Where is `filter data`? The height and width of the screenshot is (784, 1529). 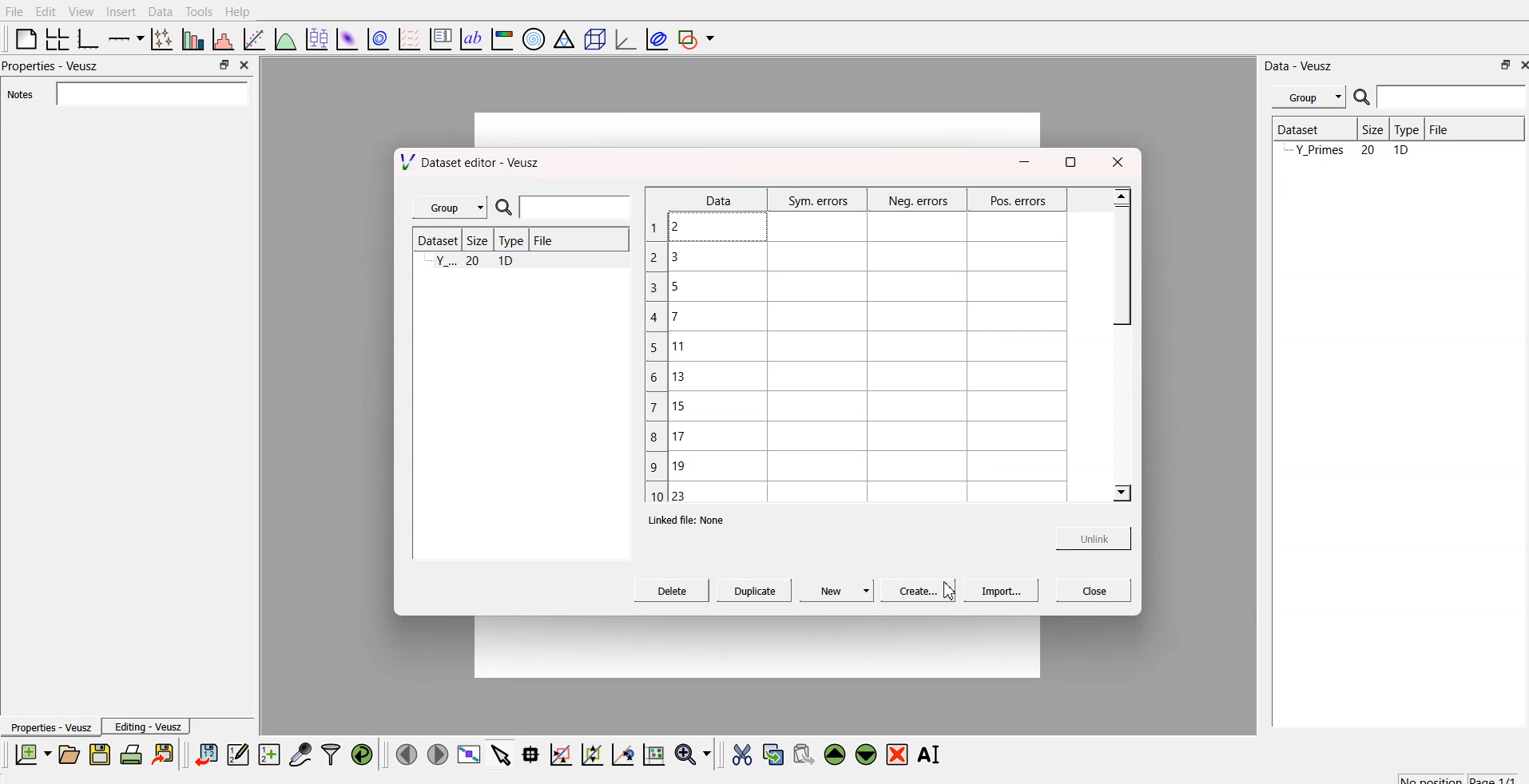
filter data is located at coordinates (331, 752).